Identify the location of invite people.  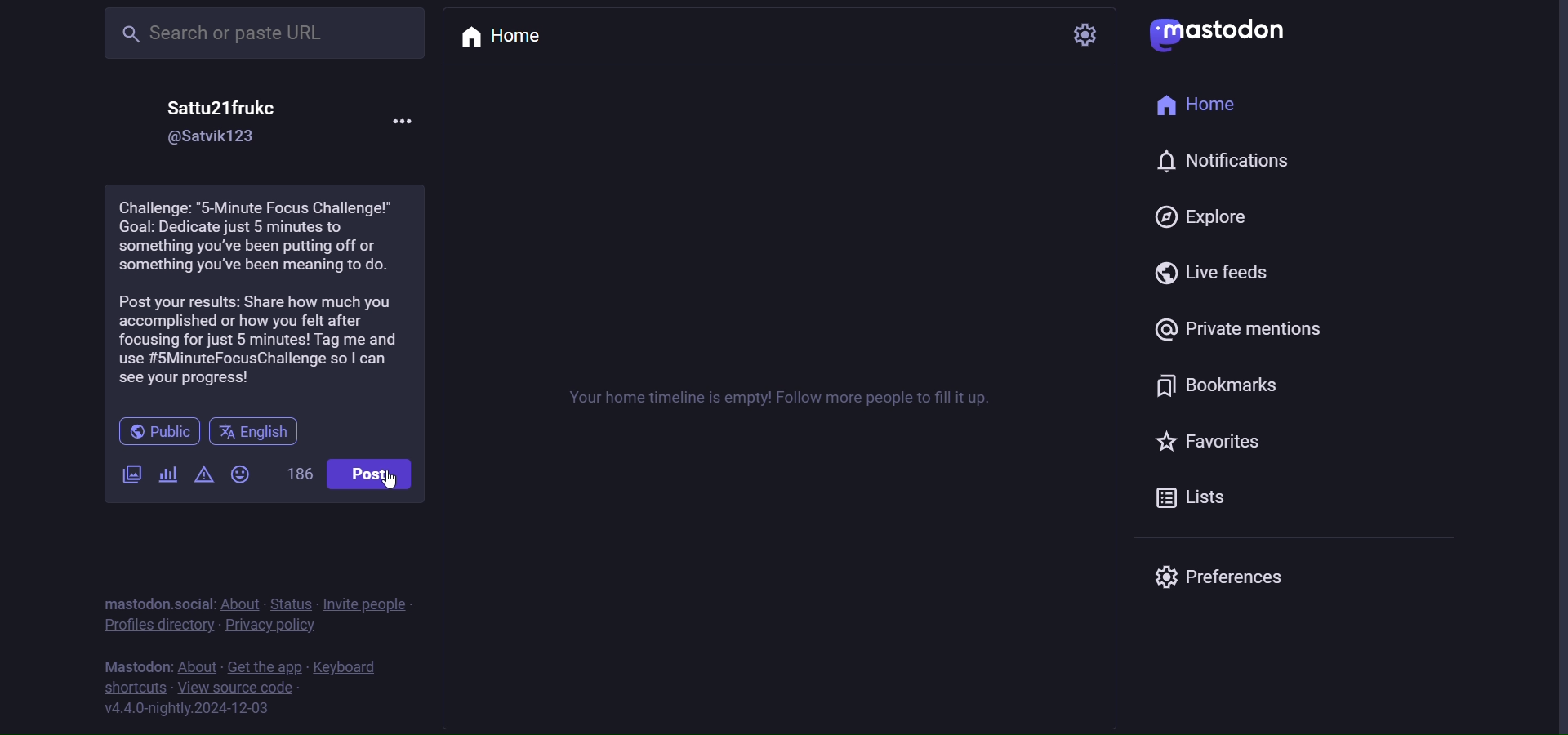
(371, 604).